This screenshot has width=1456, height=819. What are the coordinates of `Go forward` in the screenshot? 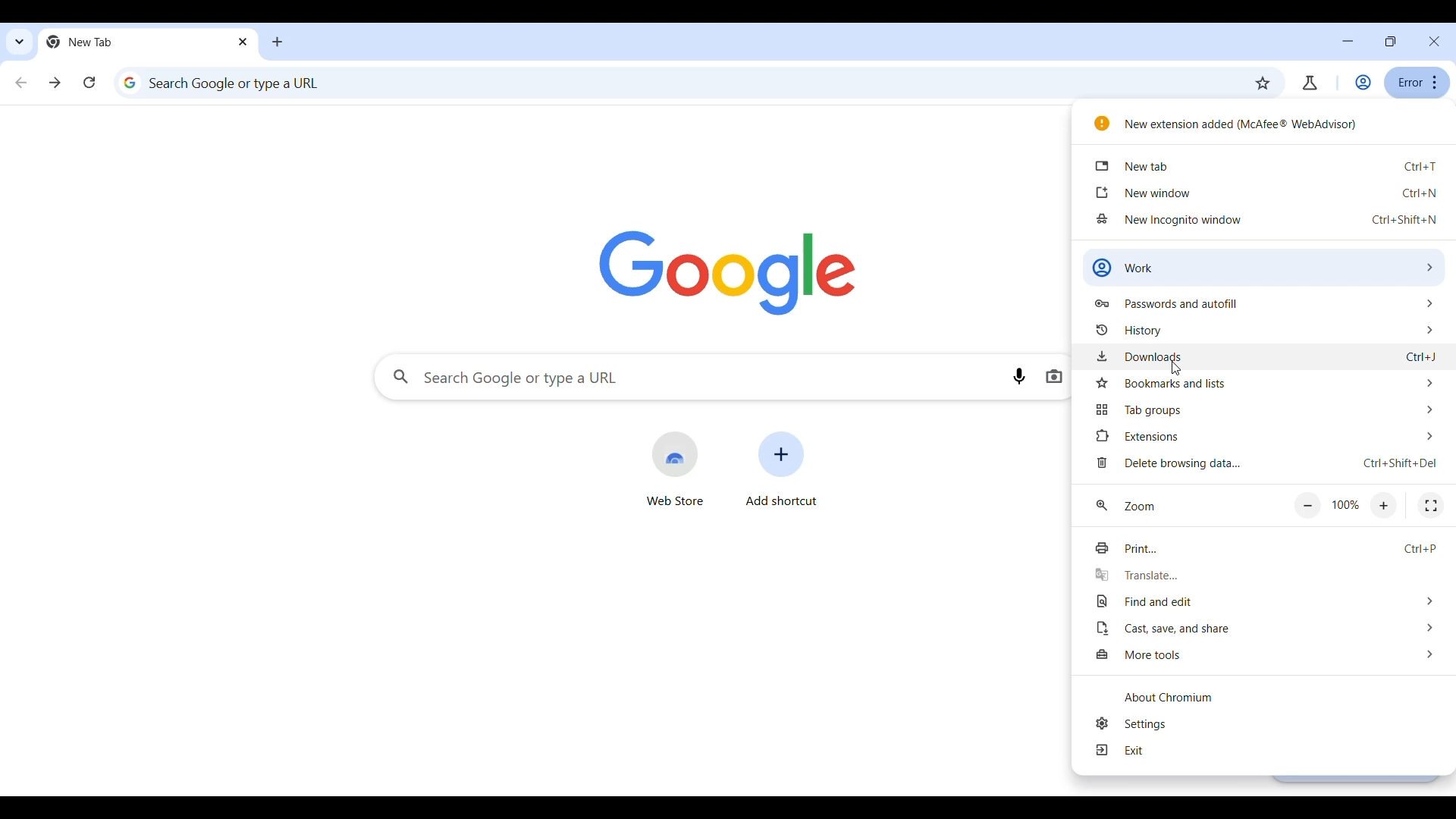 It's located at (55, 83).